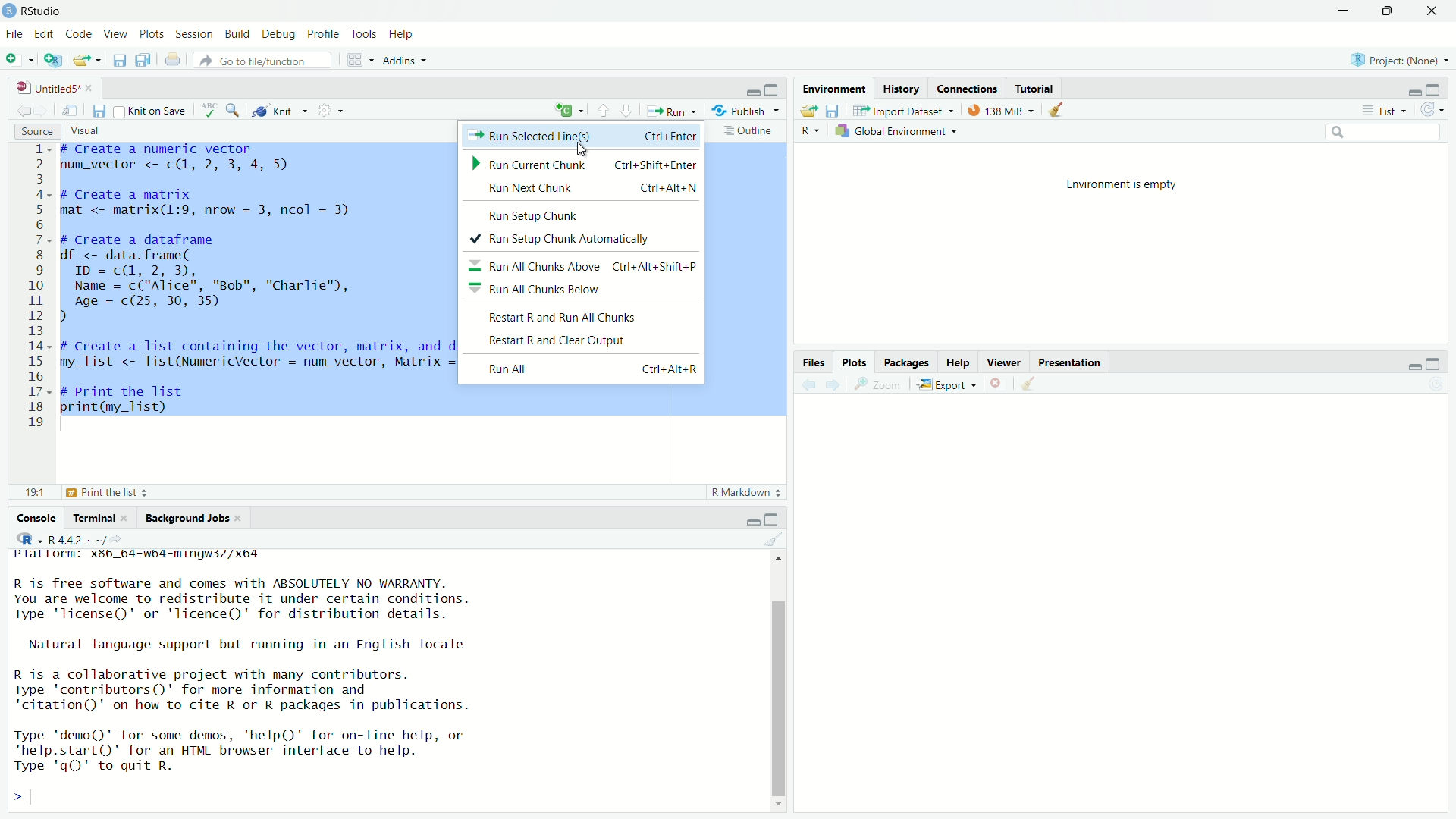 The image size is (1456, 819). What do you see at coordinates (877, 385) in the screenshot?
I see `zoom` at bounding box center [877, 385].